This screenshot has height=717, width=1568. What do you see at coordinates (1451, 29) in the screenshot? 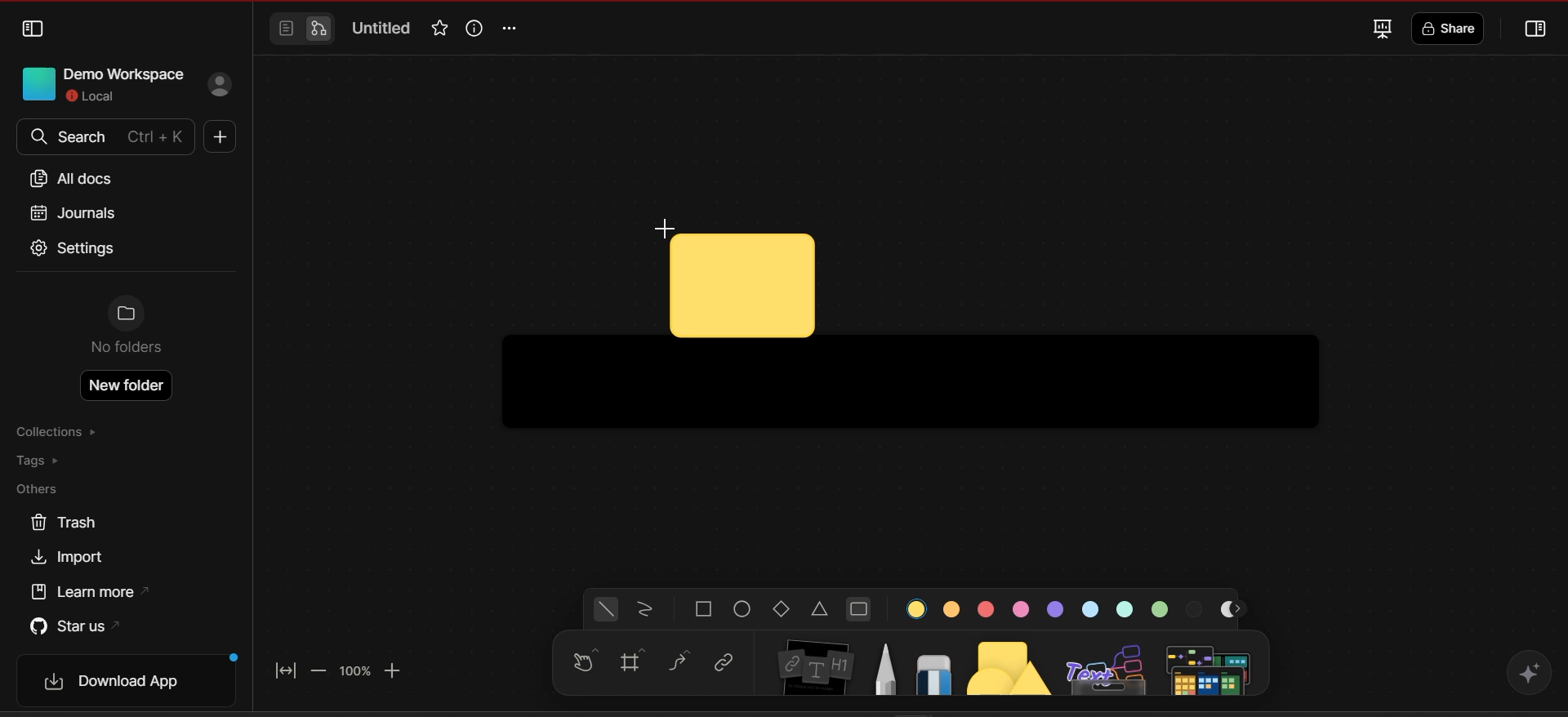
I see `share` at bounding box center [1451, 29].